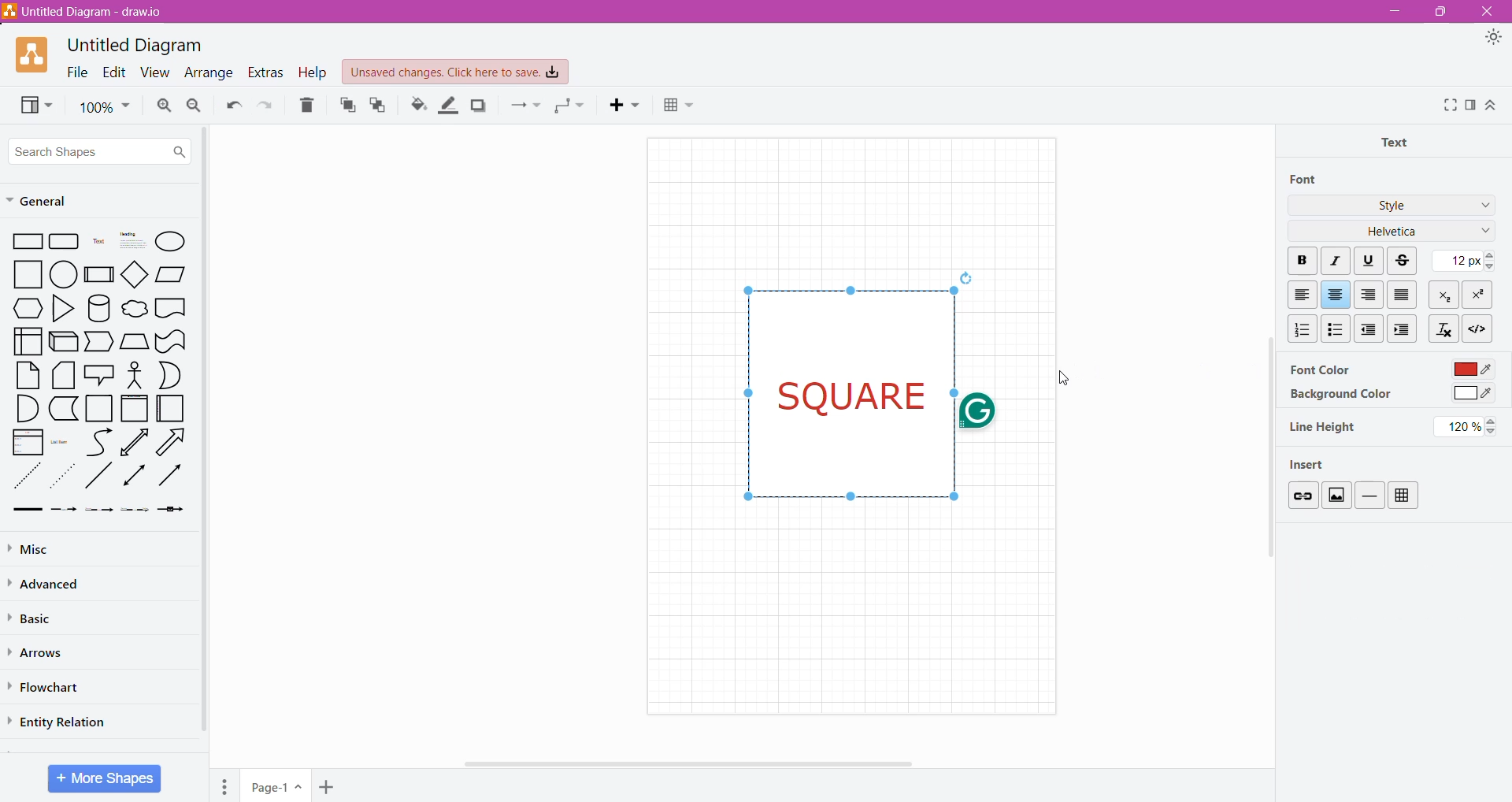 The image size is (1512, 802). I want to click on View, so click(35, 104).